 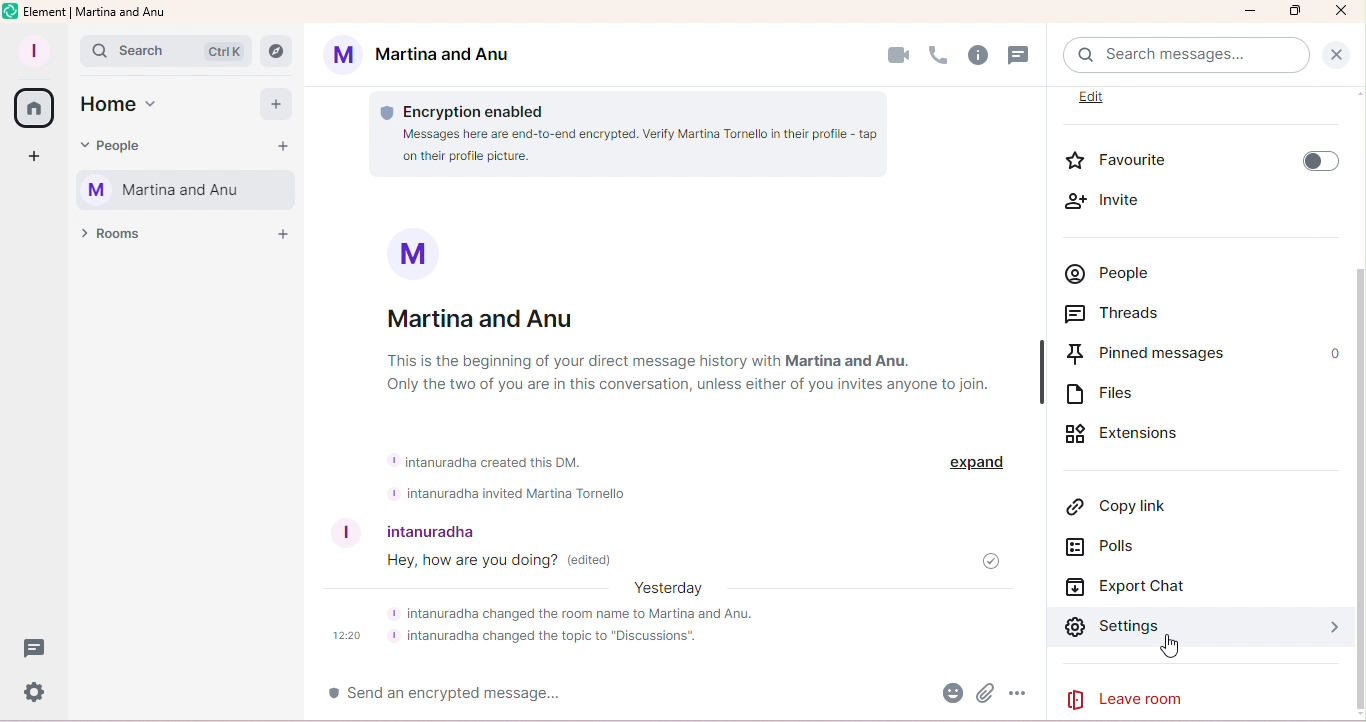 What do you see at coordinates (948, 695) in the screenshot?
I see `Emojis` at bounding box center [948, 695].